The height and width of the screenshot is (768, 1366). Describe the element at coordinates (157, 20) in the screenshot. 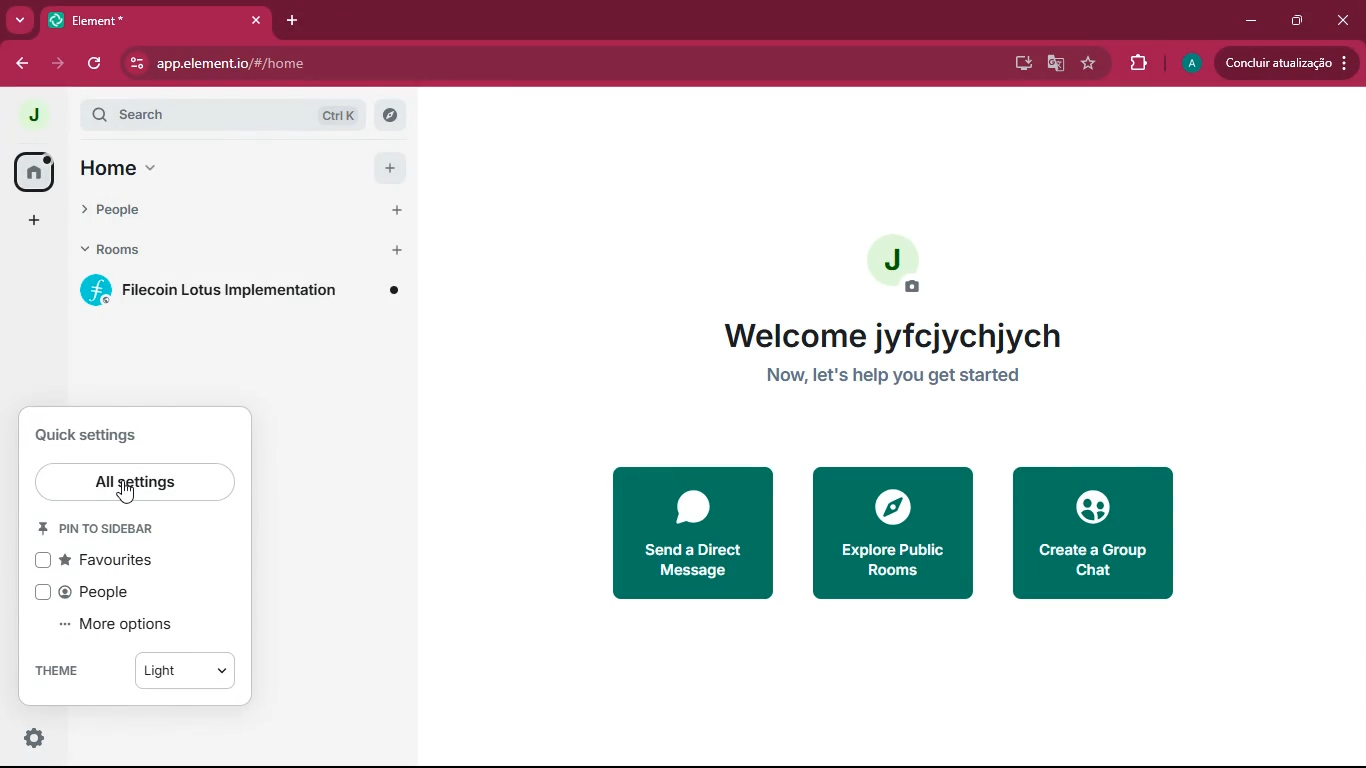

I see `element` at that location.